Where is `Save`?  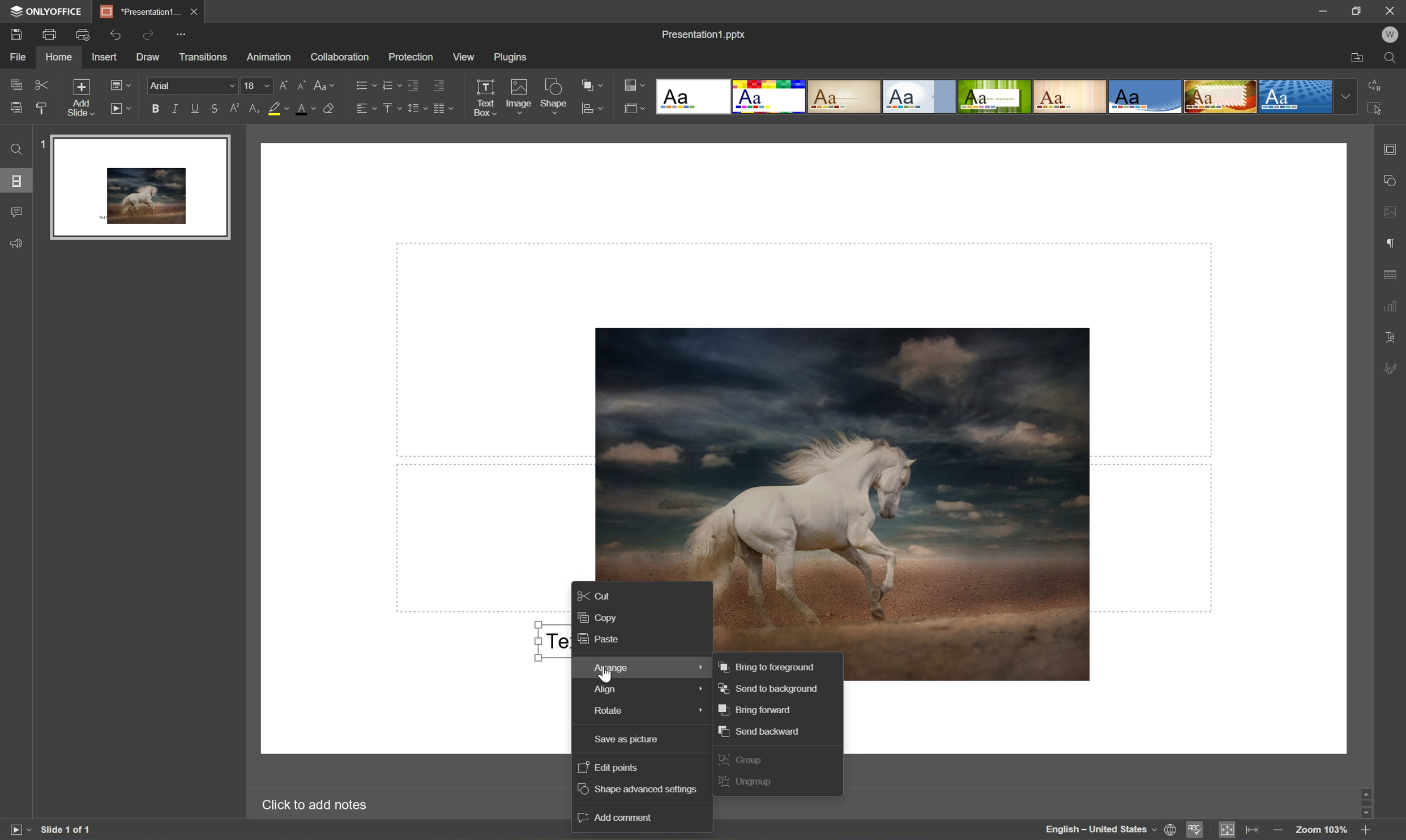 Save is located at coordinates (16, 35).